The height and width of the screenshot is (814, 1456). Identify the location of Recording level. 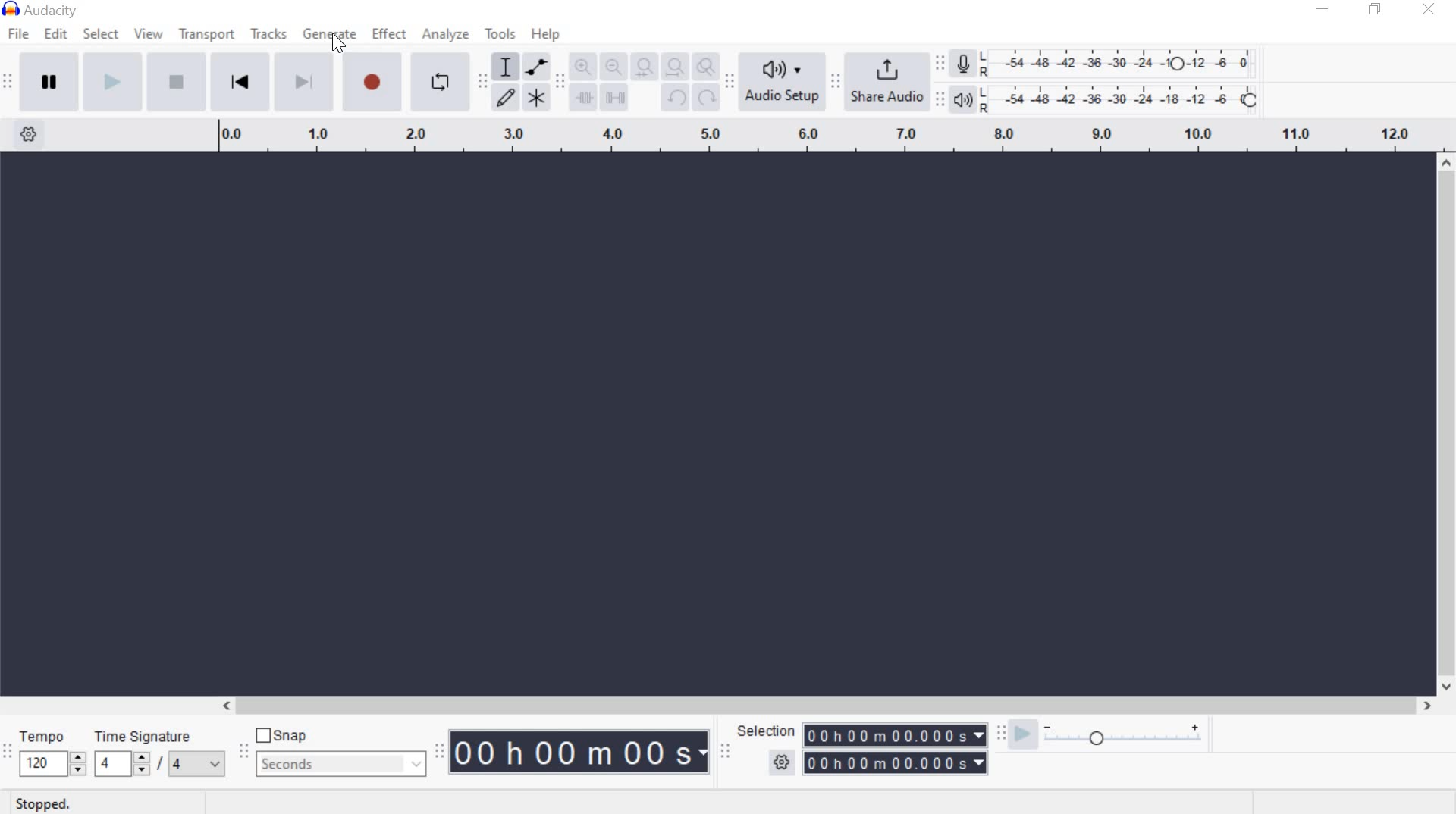
(1124, 59).